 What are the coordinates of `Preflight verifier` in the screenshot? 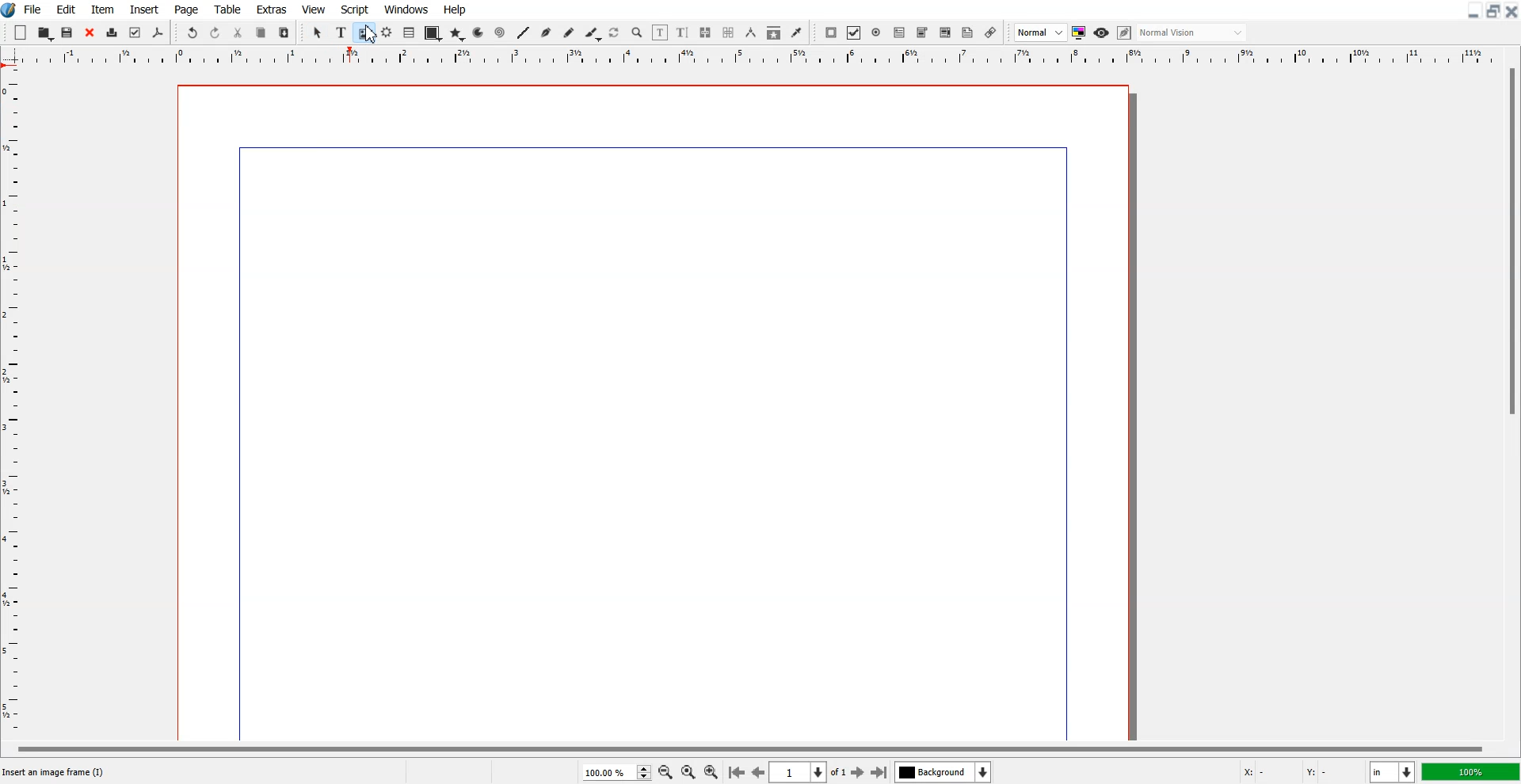 It's located at (135, 33).